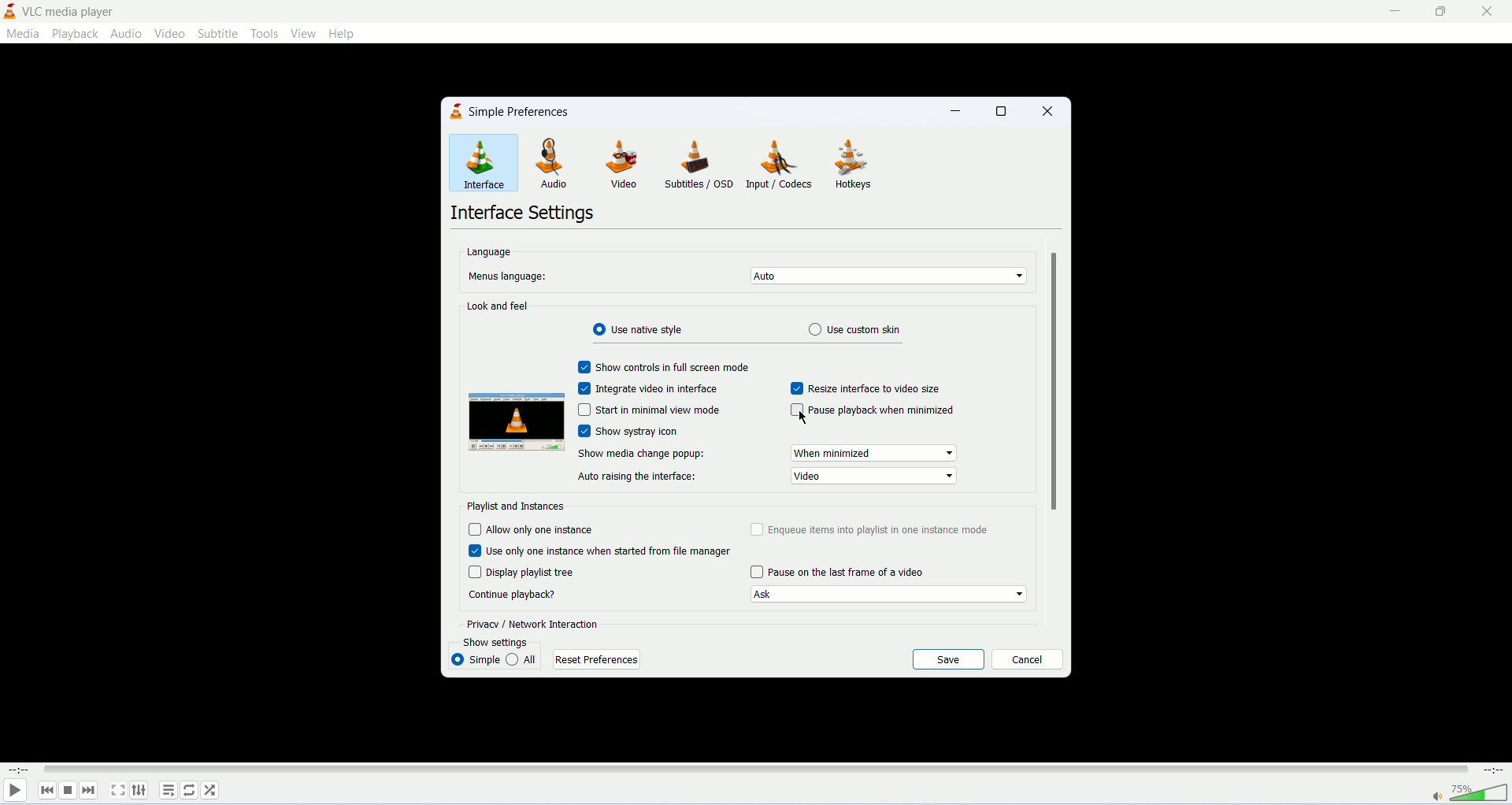 This screenshot has height=805, width=1512. What do you see at coordinates (513, 596) in the screenshot?
I see `text` at bounding box center [513, 596].